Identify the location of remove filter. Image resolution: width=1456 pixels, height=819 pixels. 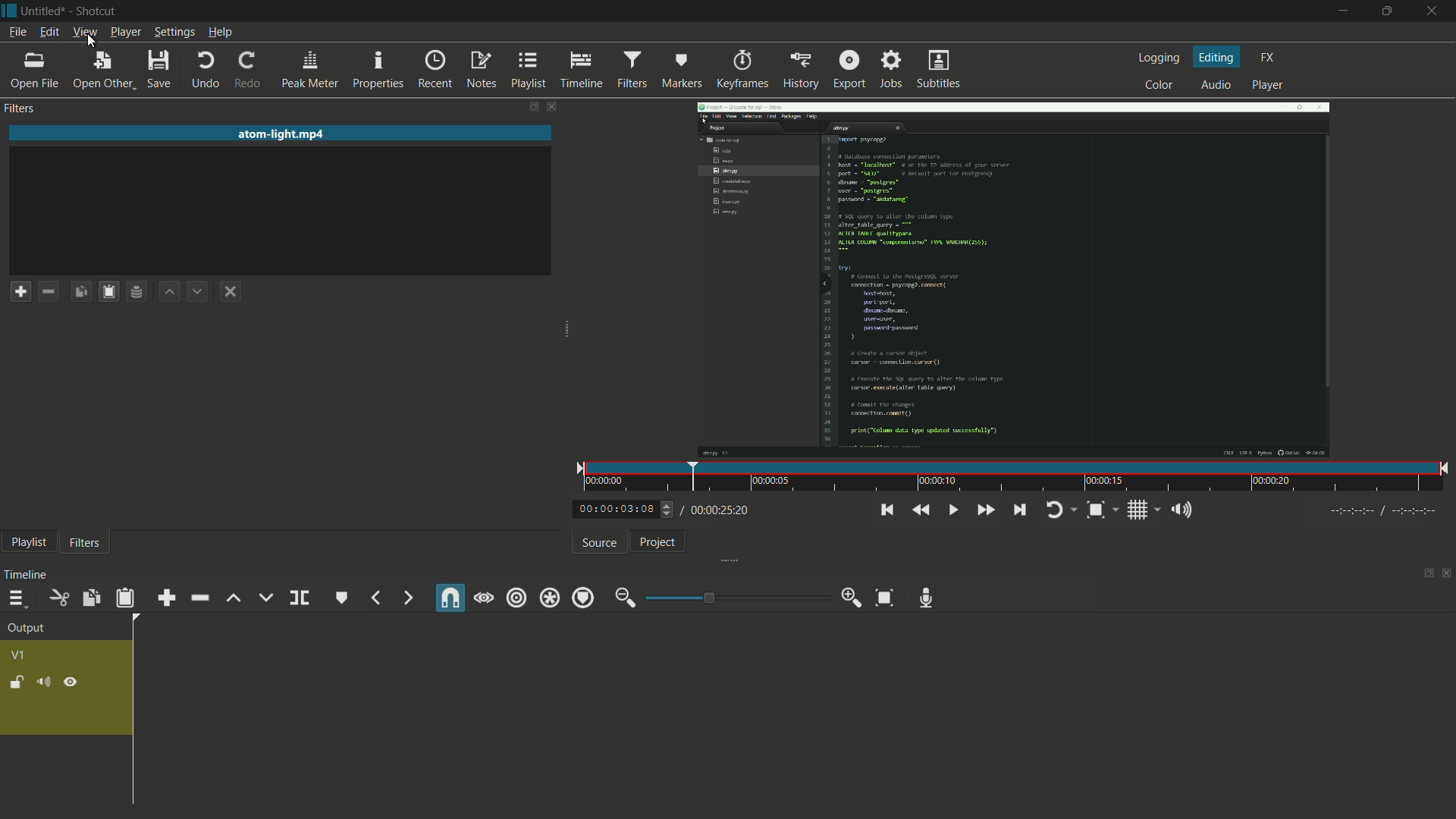
(49, 293).